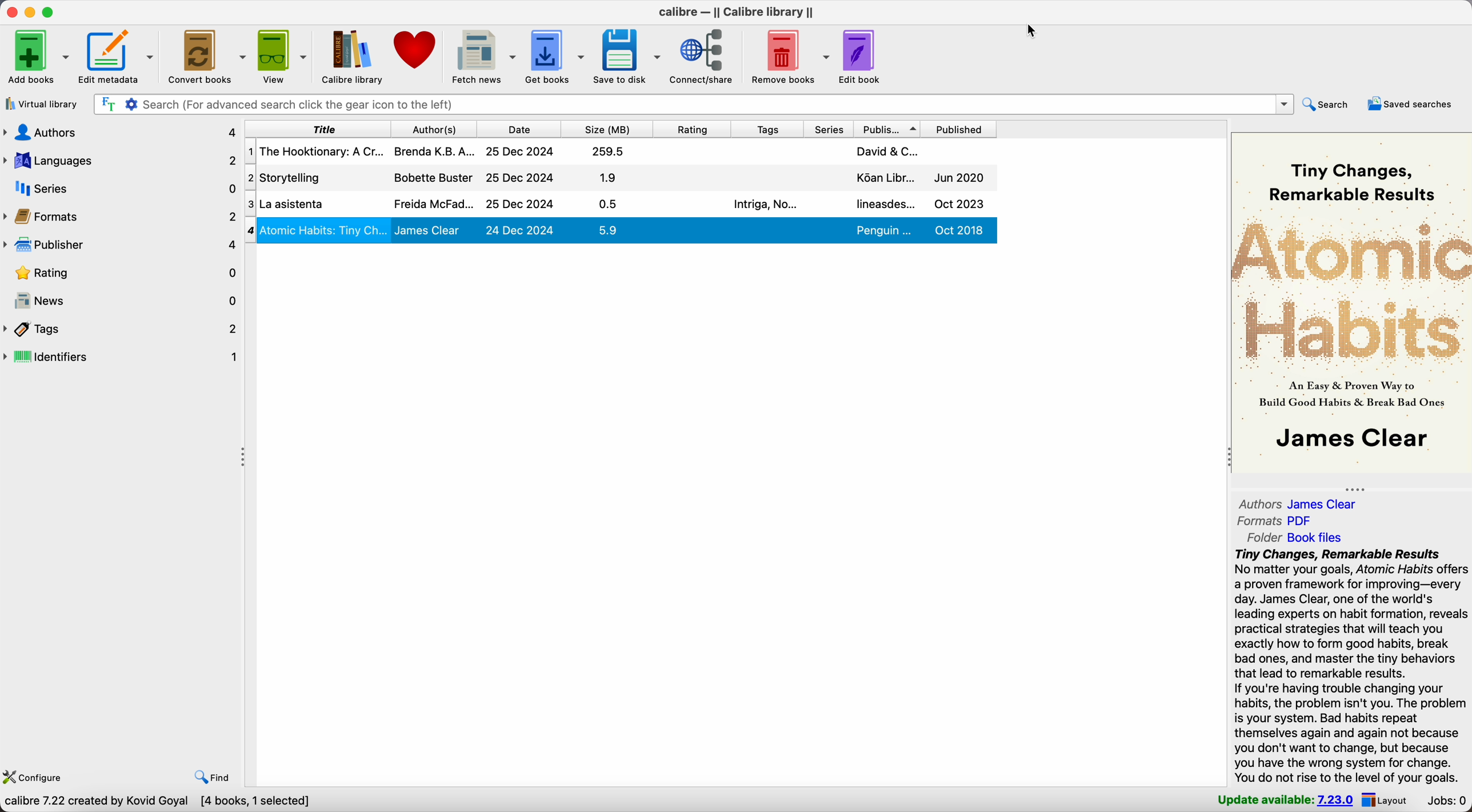  What do you see at coordinates (293, 179) in the screenshot?
I see `storytelling` at bounding box center [293, 179].